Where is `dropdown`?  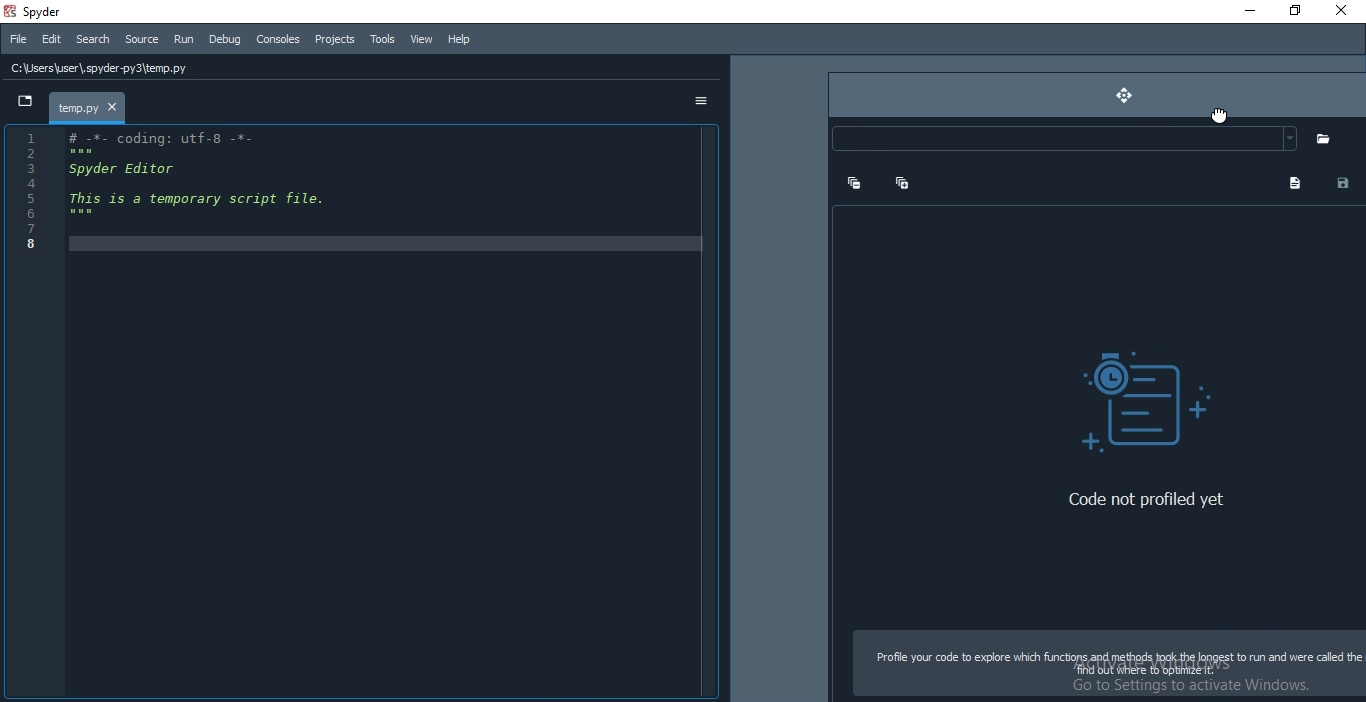 dropdown is located at coordinates (23, 104).